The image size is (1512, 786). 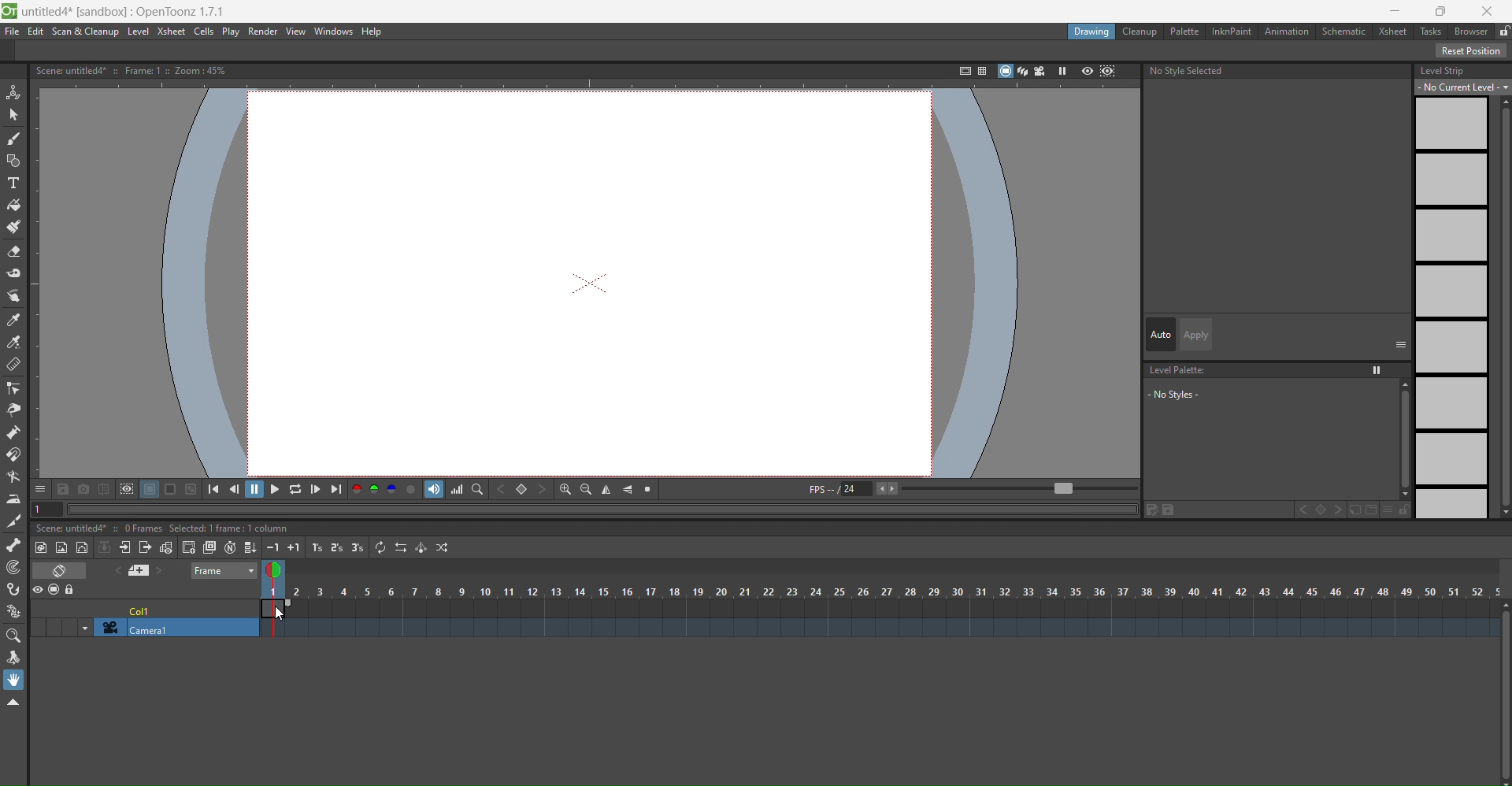 What do you see at coordinates (135, 70) in the screenshot?
I see `text` at bounding box center [135, 70].